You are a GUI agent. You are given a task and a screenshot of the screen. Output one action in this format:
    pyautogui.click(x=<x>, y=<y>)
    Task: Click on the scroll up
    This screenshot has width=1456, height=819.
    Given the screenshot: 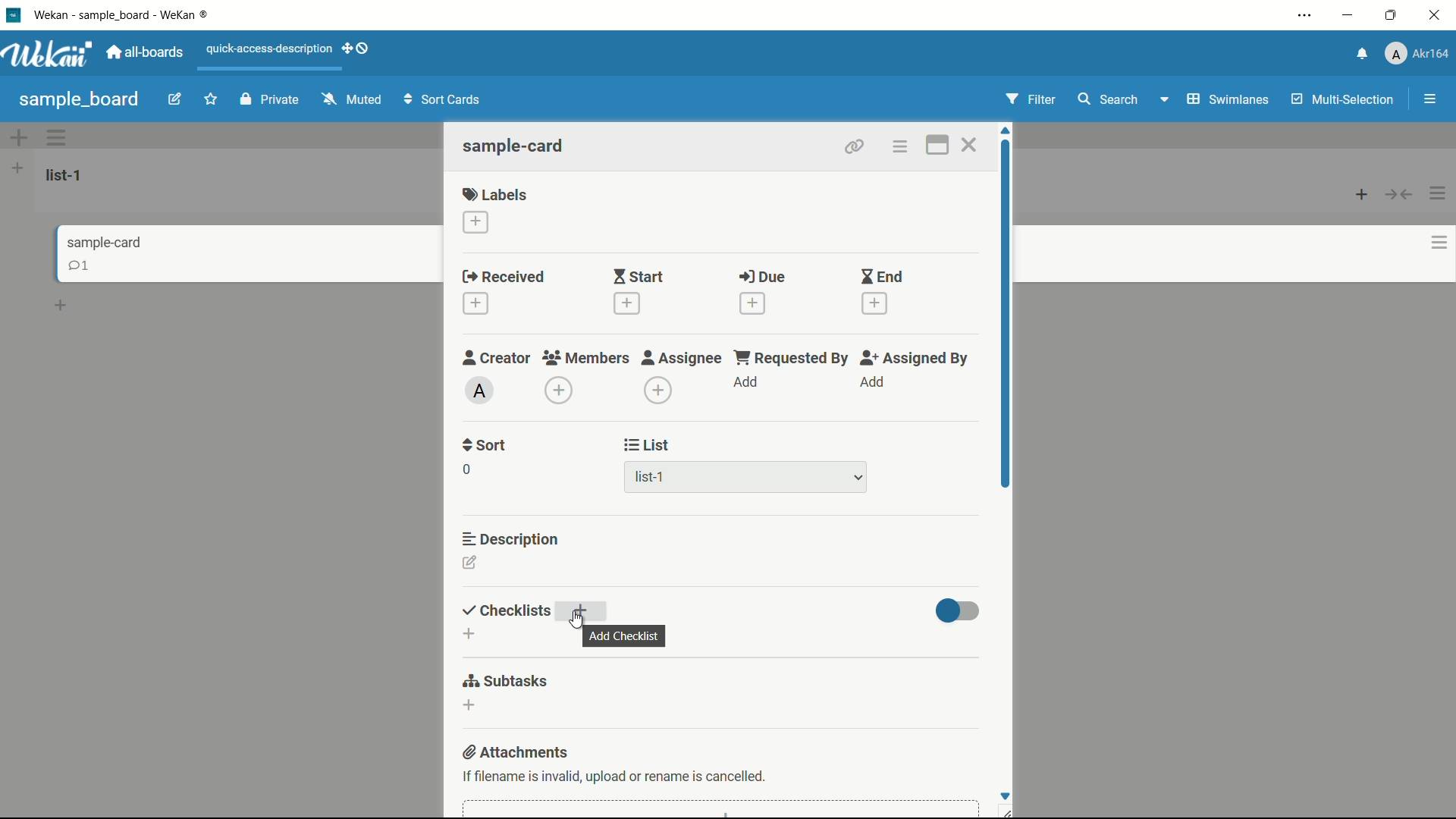 What is the action you would take?
    pyautogui.click(x=1006, y=129)
    